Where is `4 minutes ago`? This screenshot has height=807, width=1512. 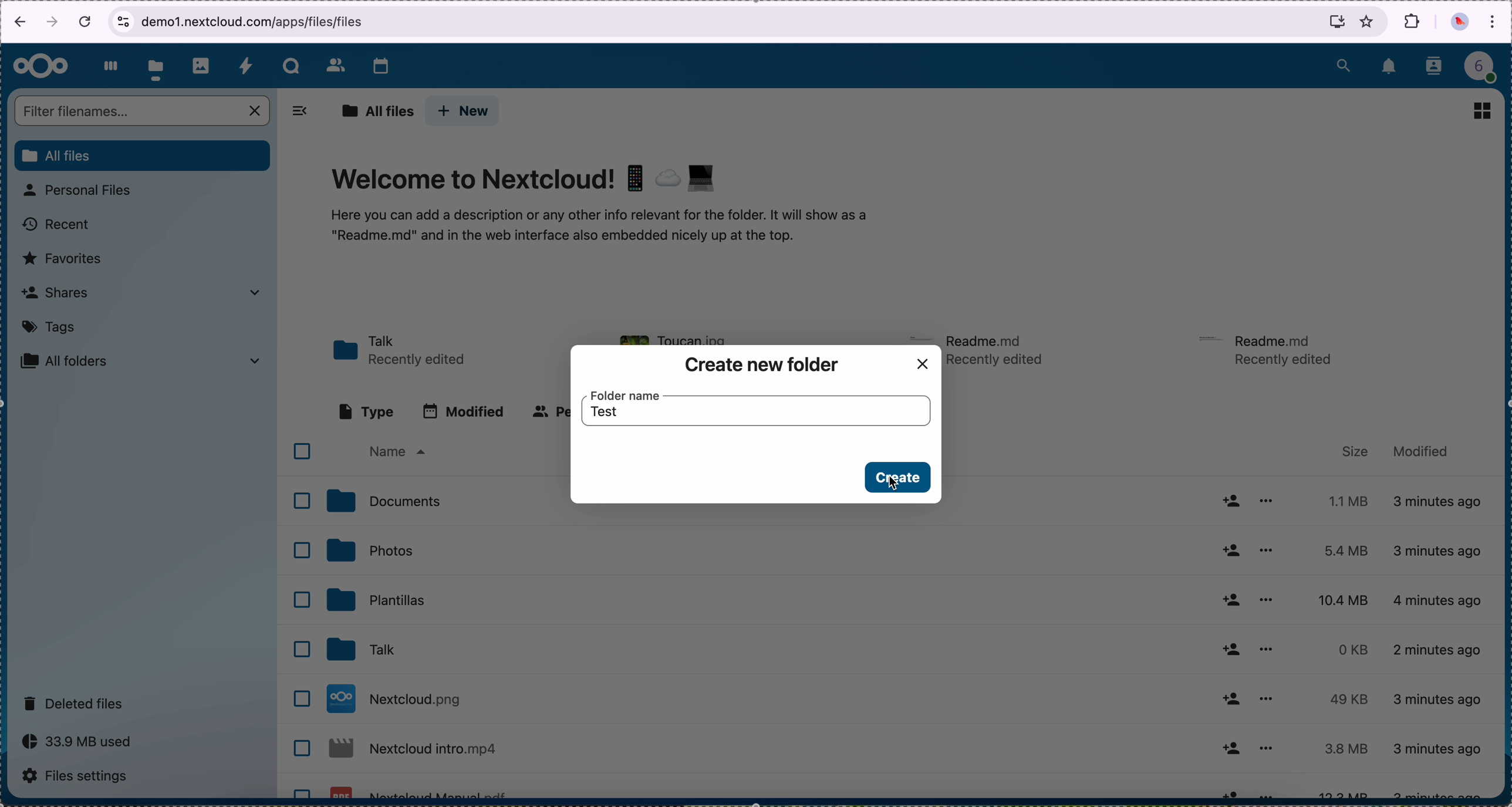 4 minutes ago is located at coordinates (1440, 551).